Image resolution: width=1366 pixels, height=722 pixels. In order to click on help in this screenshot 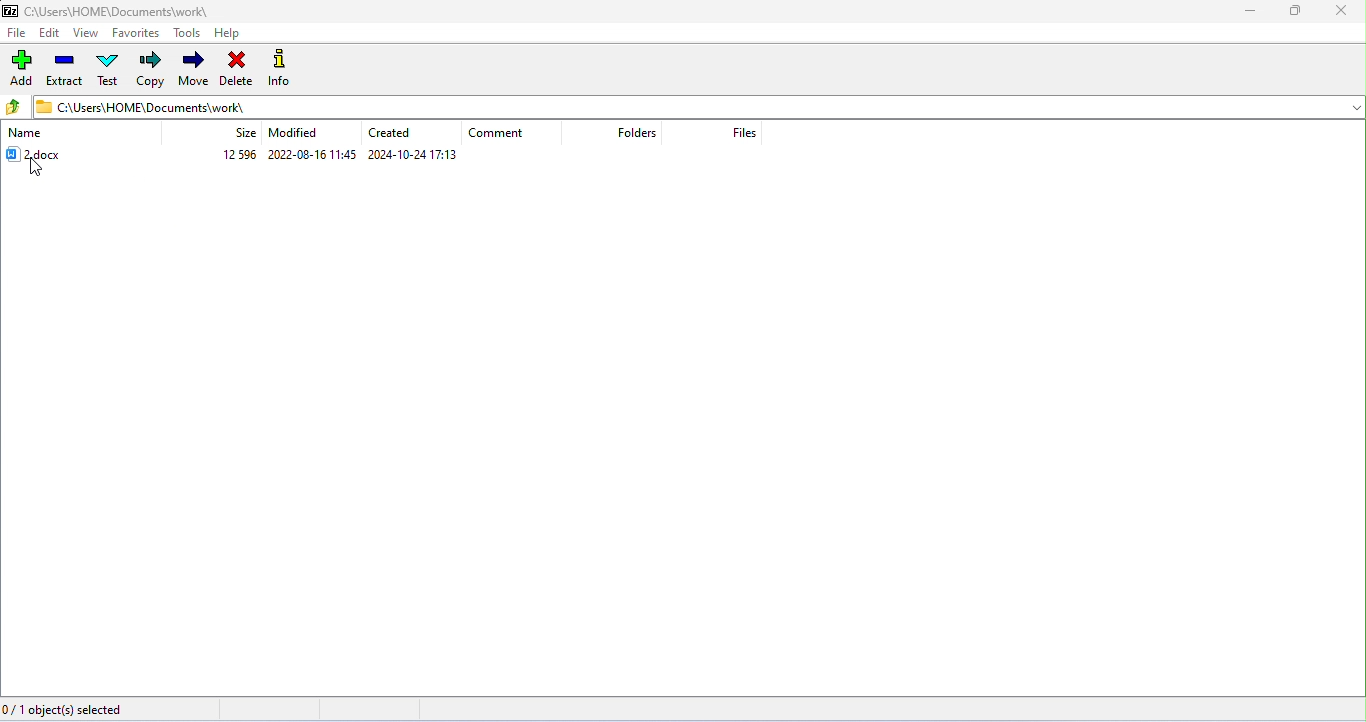, I will do `click(228, 32)`.